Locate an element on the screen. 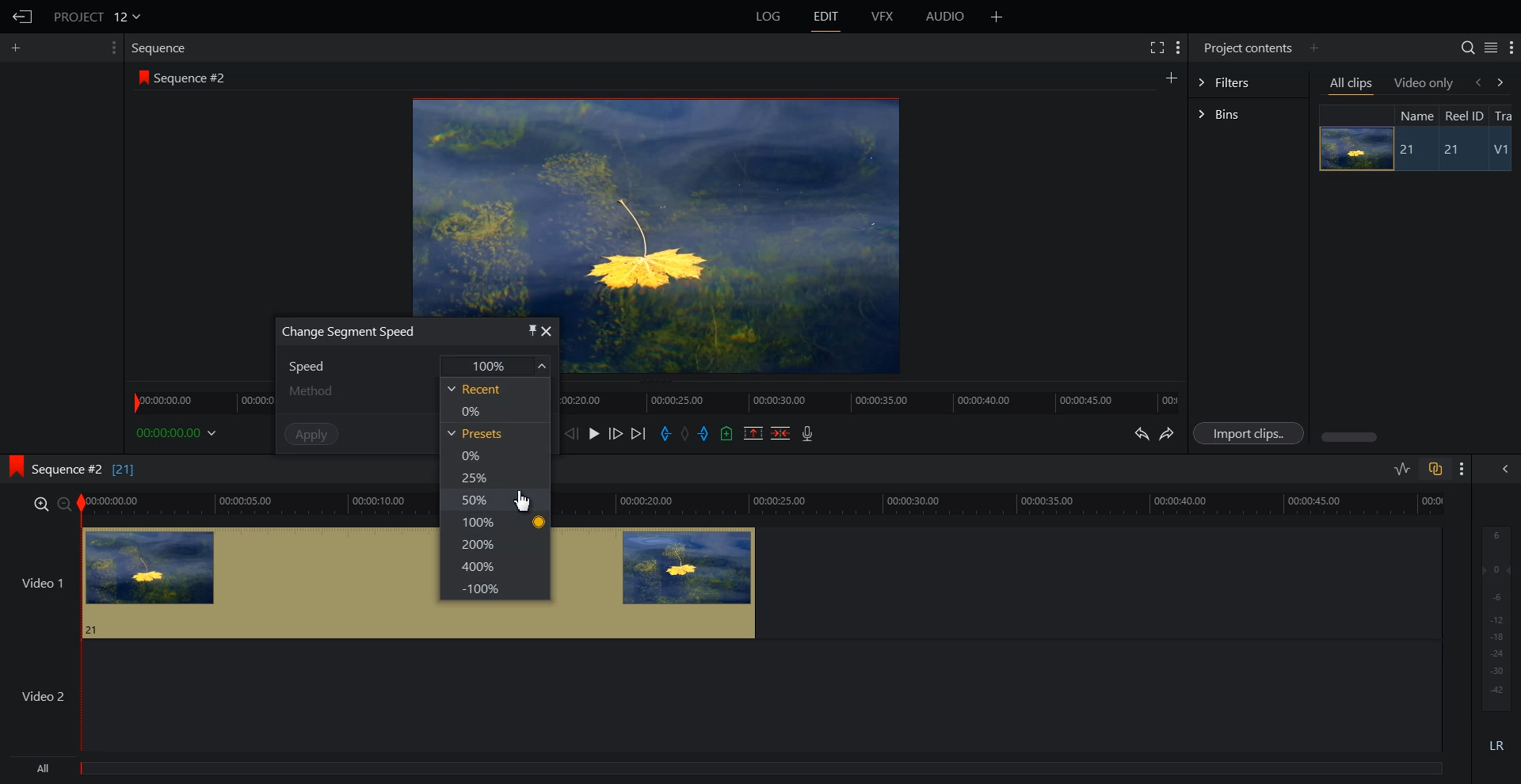 The height and width of the screenshot is (784, 1521). Toggle audio level editing is located at coordinates (1402, 468).